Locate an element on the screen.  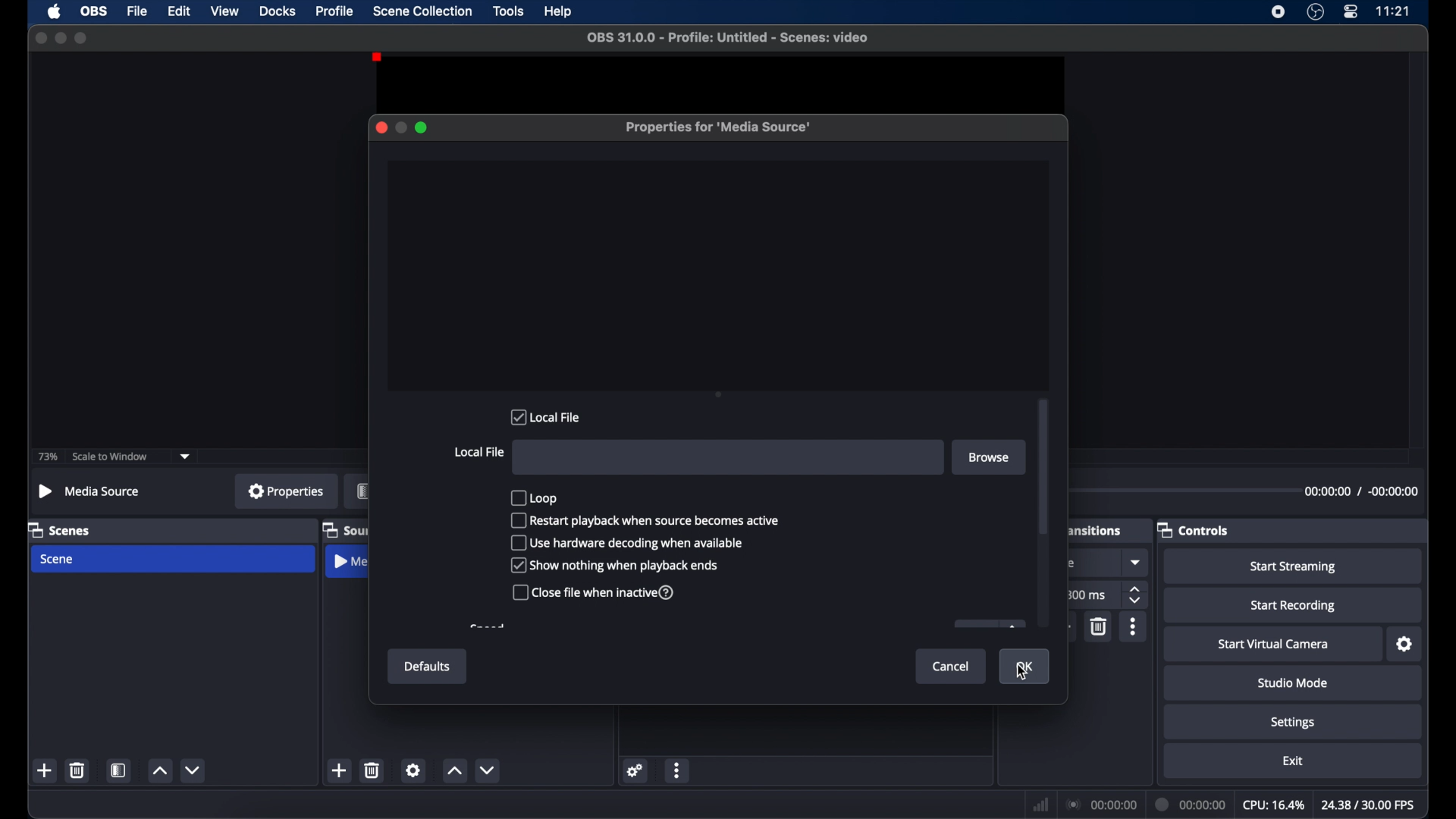
scale to window is located at coordinates (110, 457).